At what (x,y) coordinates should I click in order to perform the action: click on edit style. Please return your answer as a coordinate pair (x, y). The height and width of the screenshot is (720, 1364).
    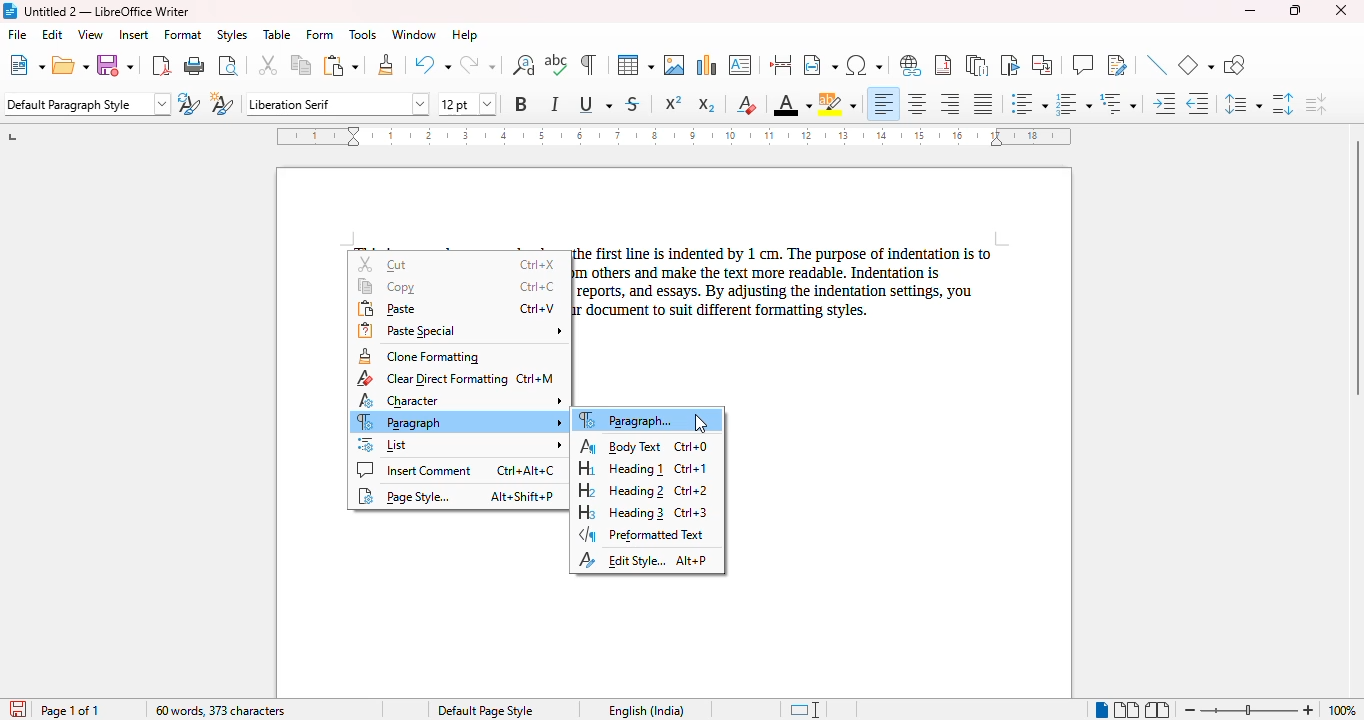
    Looking at the image, I should click on (643, 560).